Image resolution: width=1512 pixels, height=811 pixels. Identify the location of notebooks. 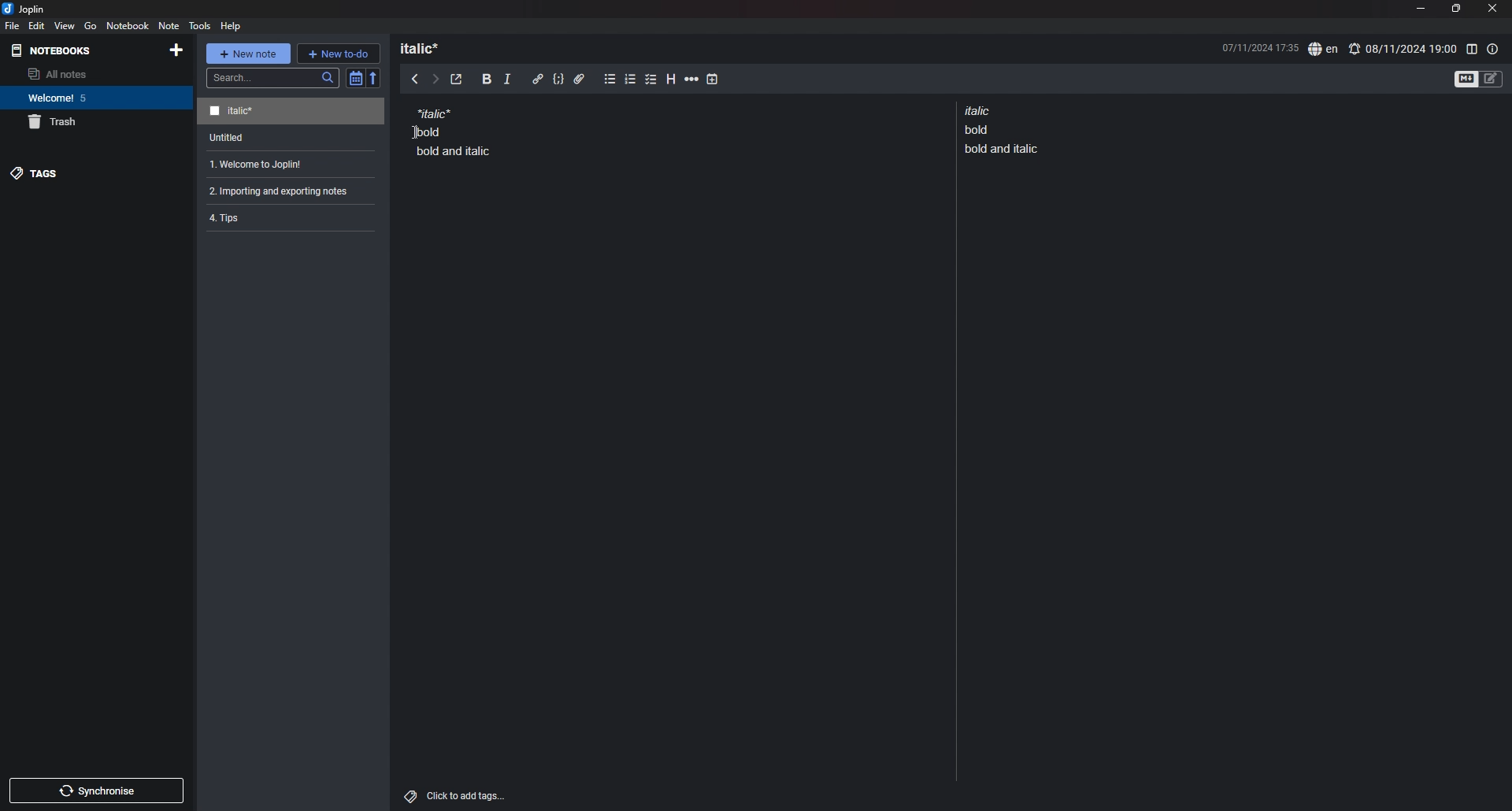
(55, 50).